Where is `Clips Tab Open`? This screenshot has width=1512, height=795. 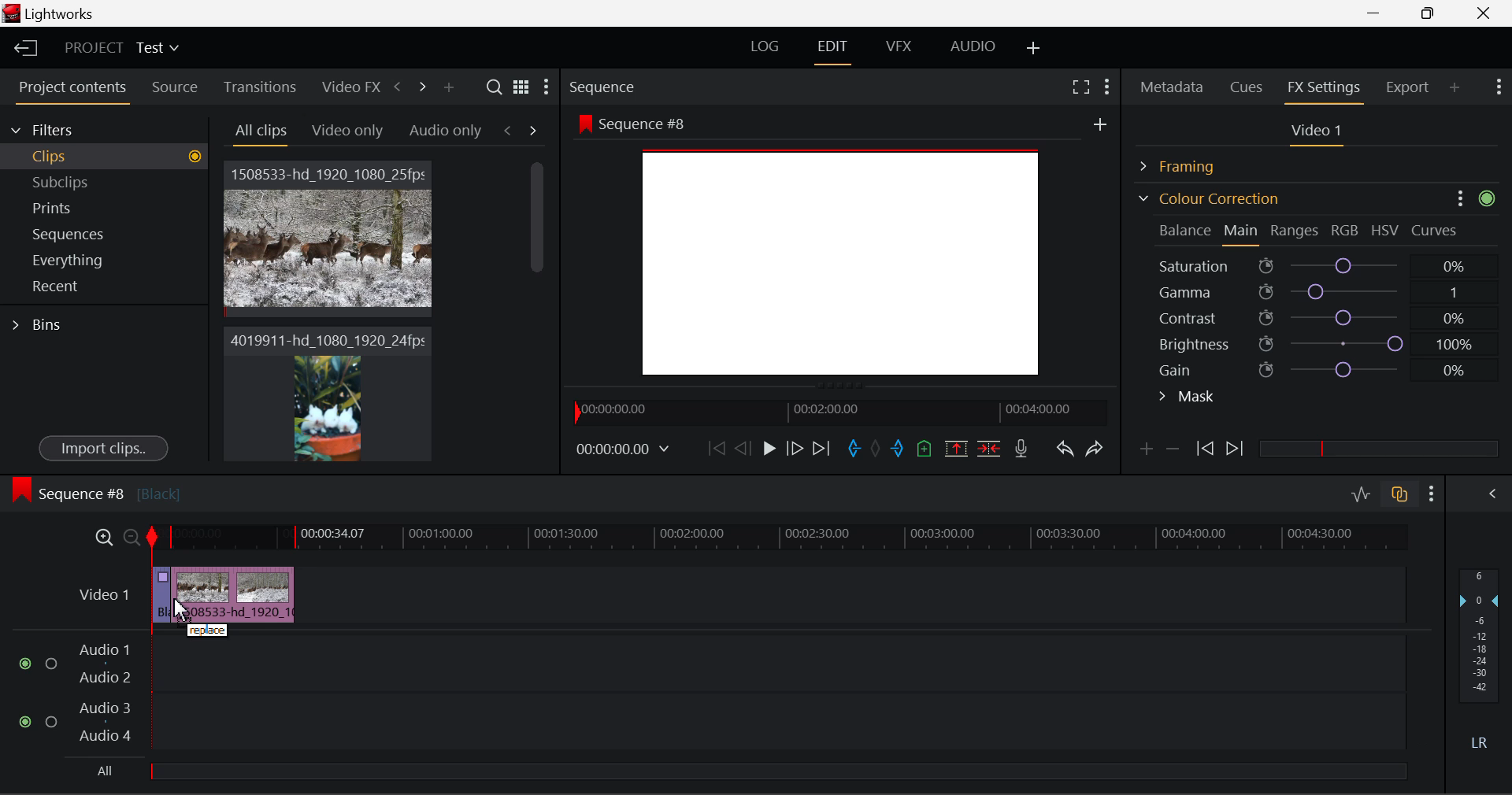
Clips Tab Open is located at coordinates (109, 156).